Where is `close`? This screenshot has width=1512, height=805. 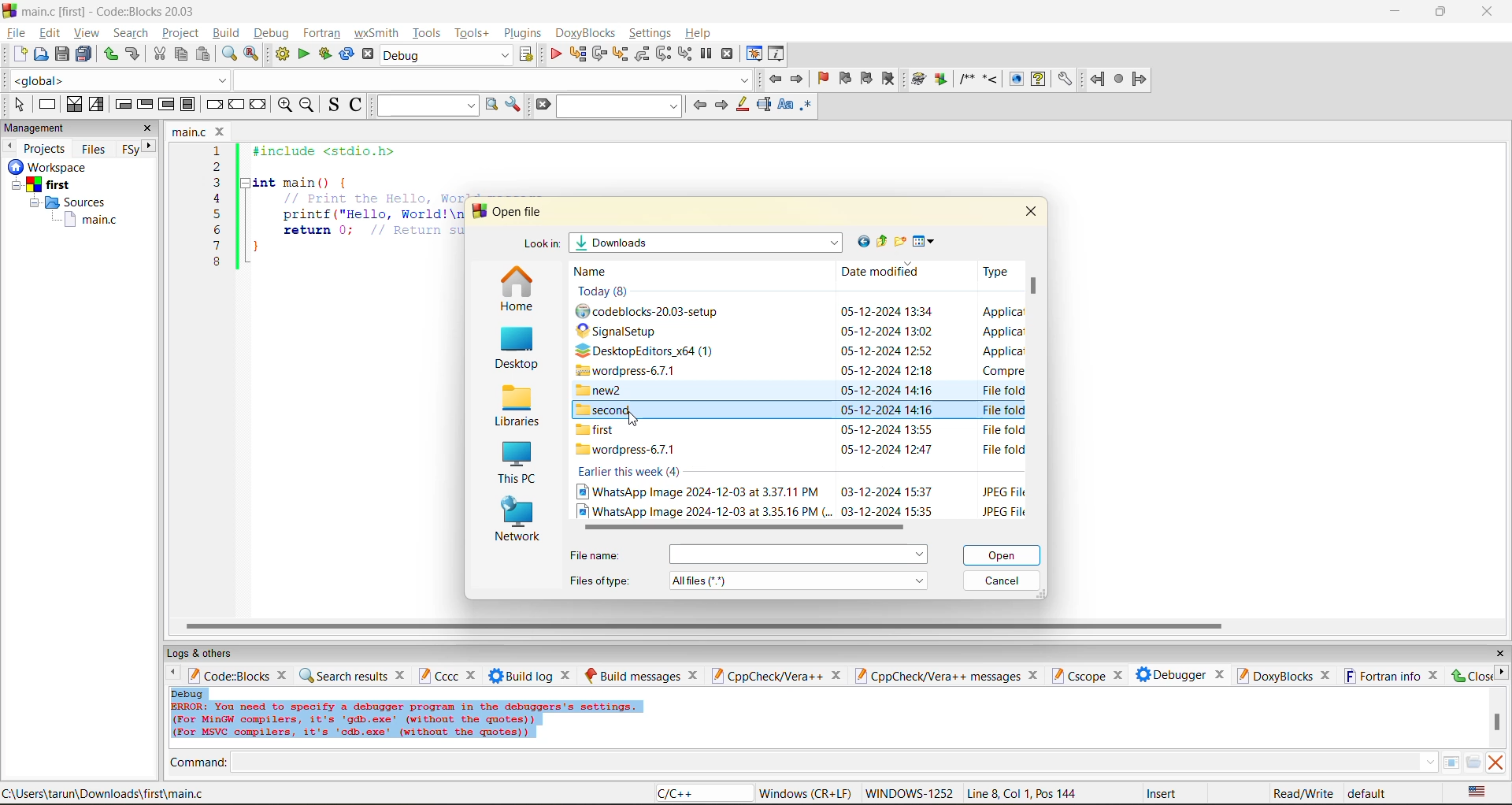
close is located at coordinates (1031, 210).